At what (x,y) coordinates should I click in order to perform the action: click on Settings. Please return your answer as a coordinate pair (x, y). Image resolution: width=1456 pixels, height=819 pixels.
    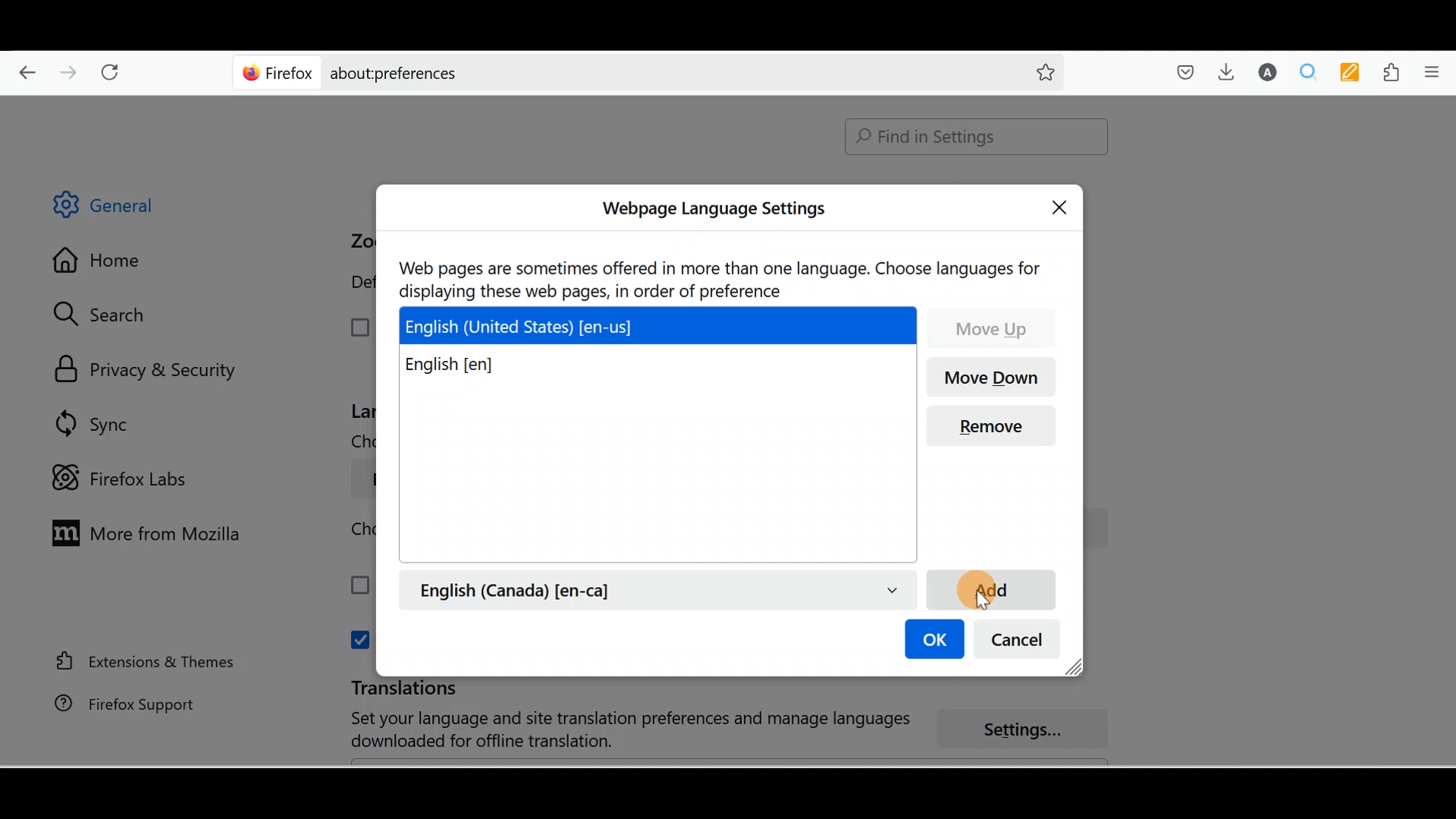
    Looking at the image, I should click on (1031, 730).